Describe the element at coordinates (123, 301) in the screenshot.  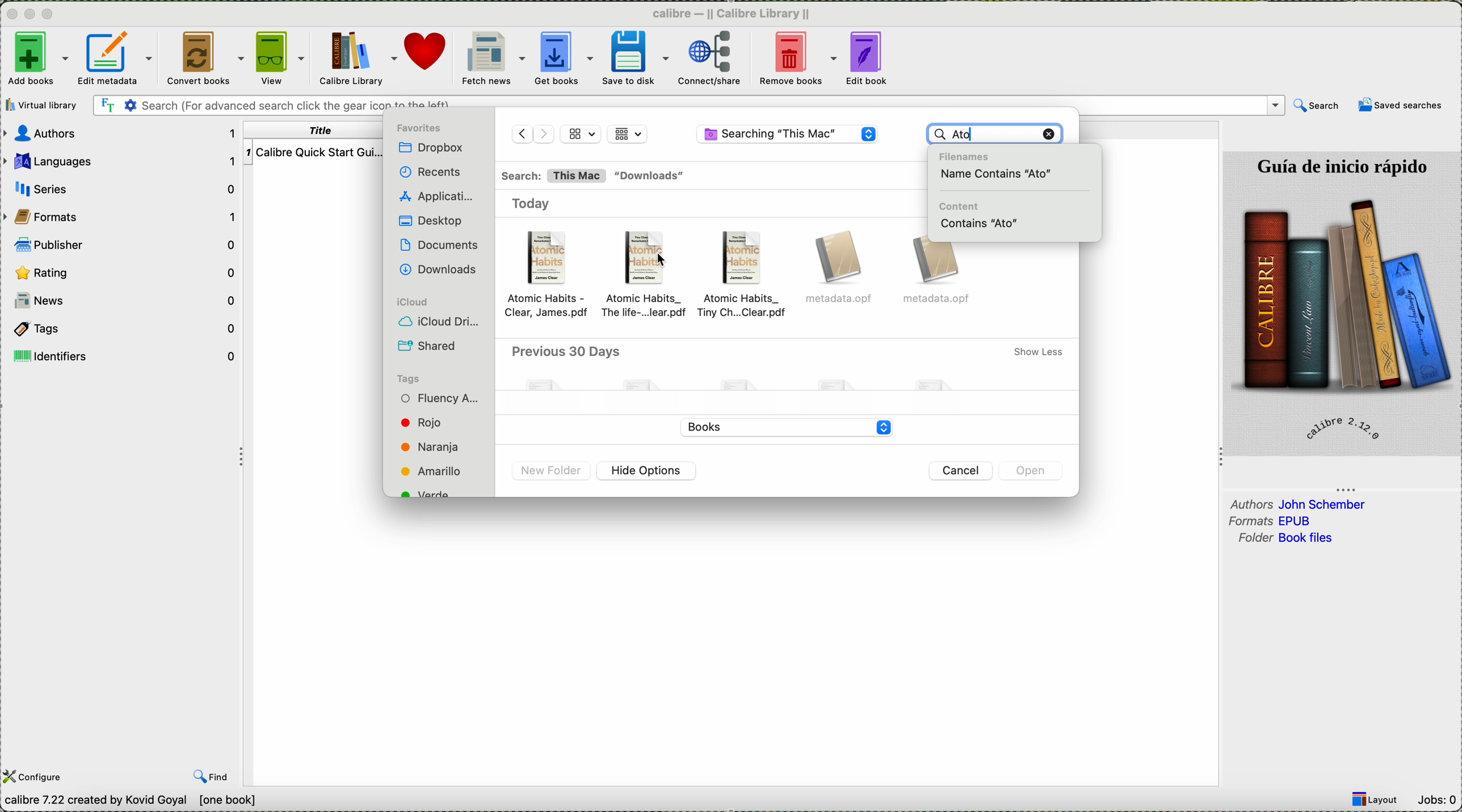
I see `news` at that location.